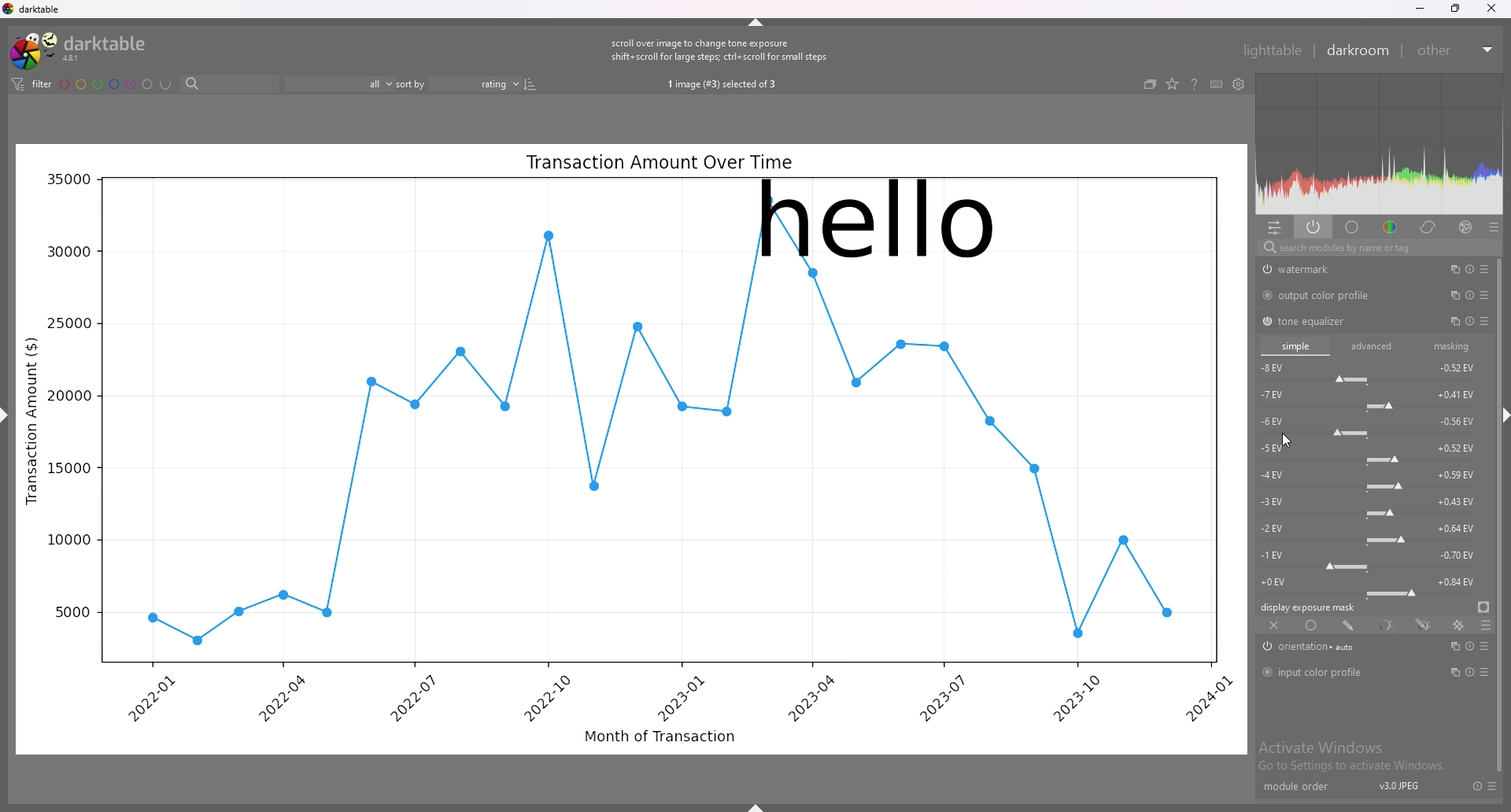 This screenshot has height=812, width=1511. I want to click on 1 image (#3) selected of 3, so click(722, 85).